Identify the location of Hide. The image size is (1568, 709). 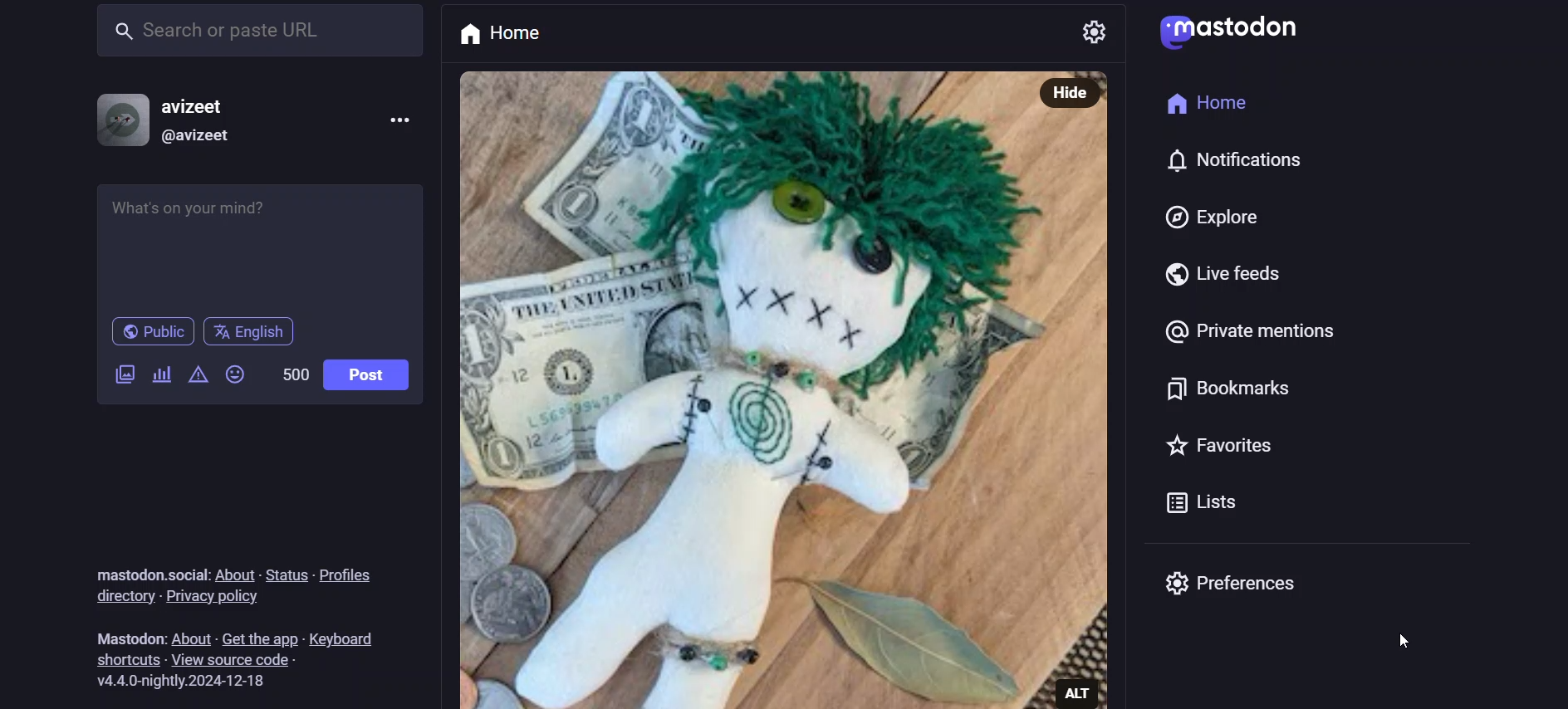
(1070, 93).